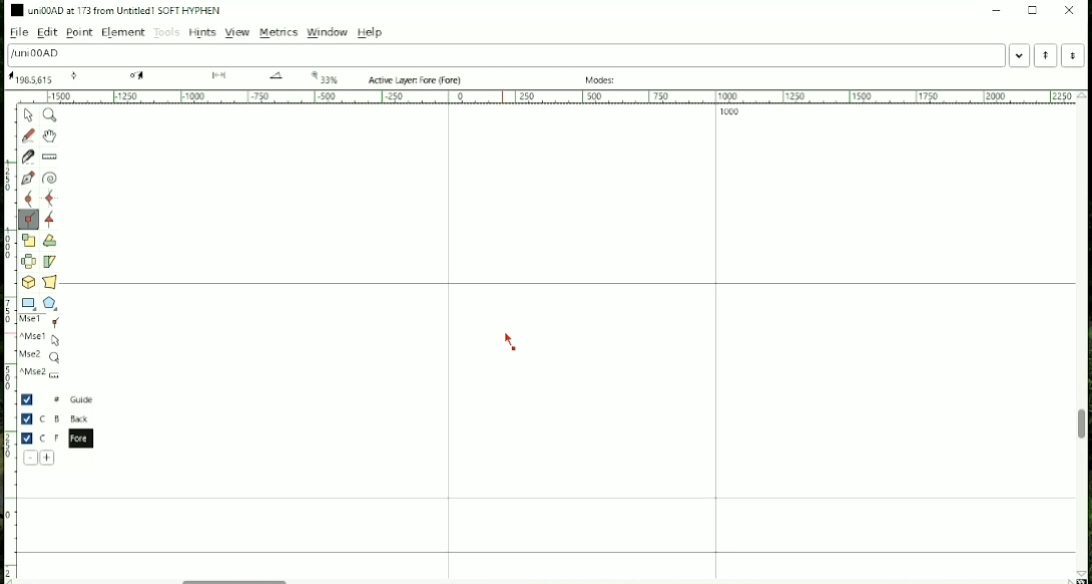 The height and width of the screenshot is (584, 1092). What do you see at coordinates (51, 115) in the screenshot?
I see `Magnify` at bounding box center [51, 115].